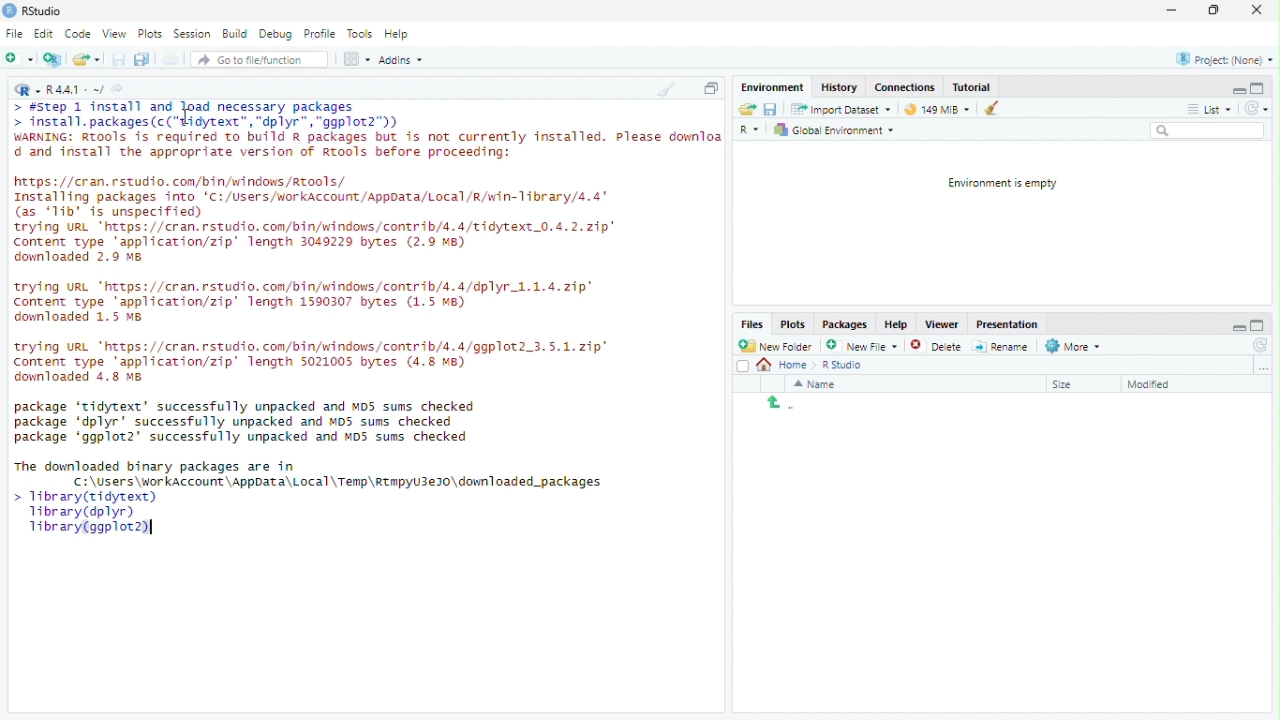 The height and width of the screenshot is (720, 1280). What do you see at coordinates (987, 108) in the screenshot?
I see `Clean` at bounding box center [987, 108].